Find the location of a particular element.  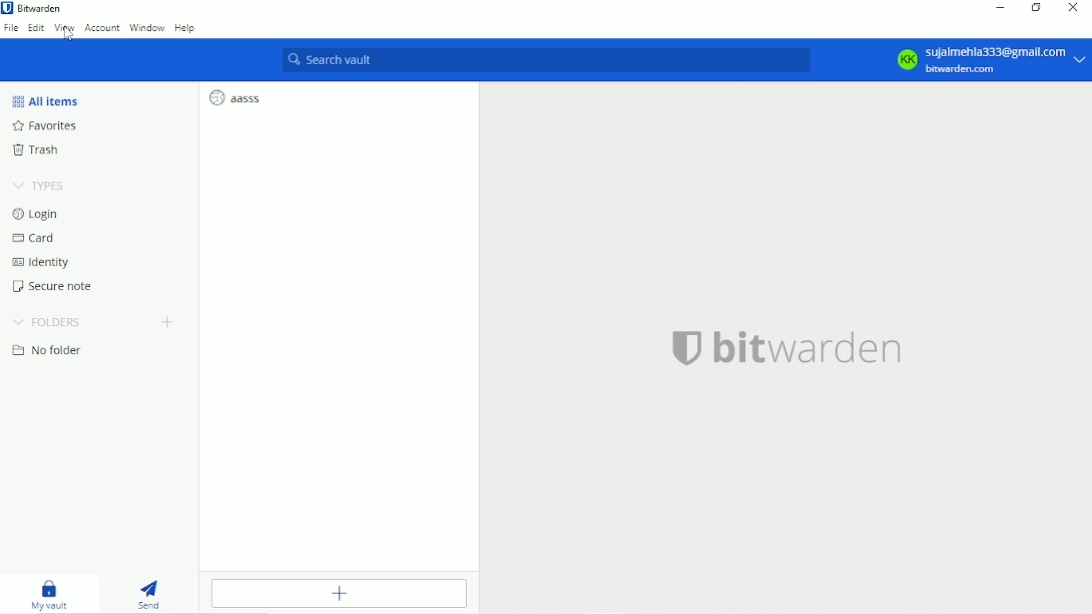

My vault is located at coordinates (50, 595).